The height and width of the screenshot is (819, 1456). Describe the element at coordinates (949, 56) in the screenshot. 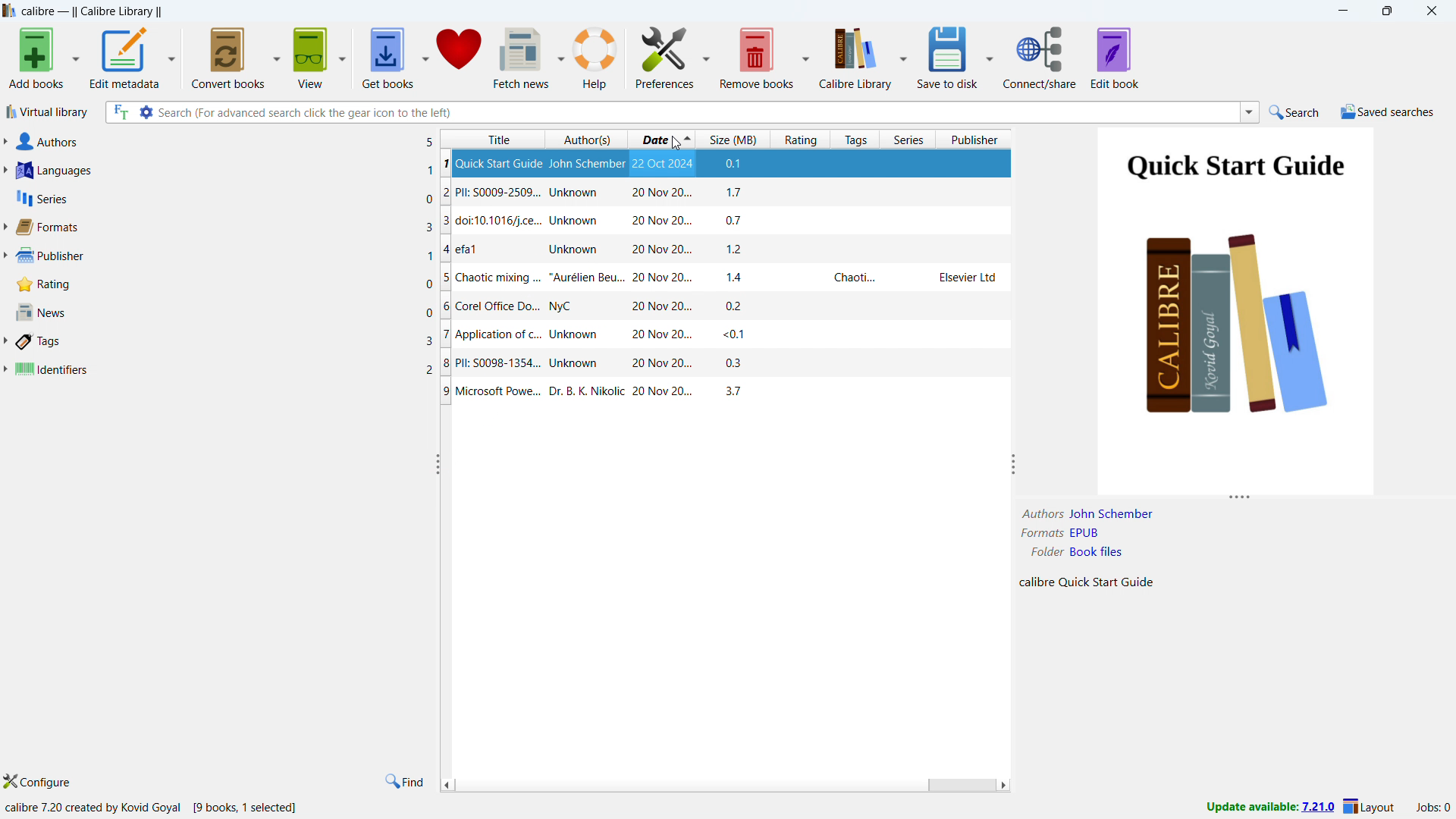

I see `save to disk` at that location.